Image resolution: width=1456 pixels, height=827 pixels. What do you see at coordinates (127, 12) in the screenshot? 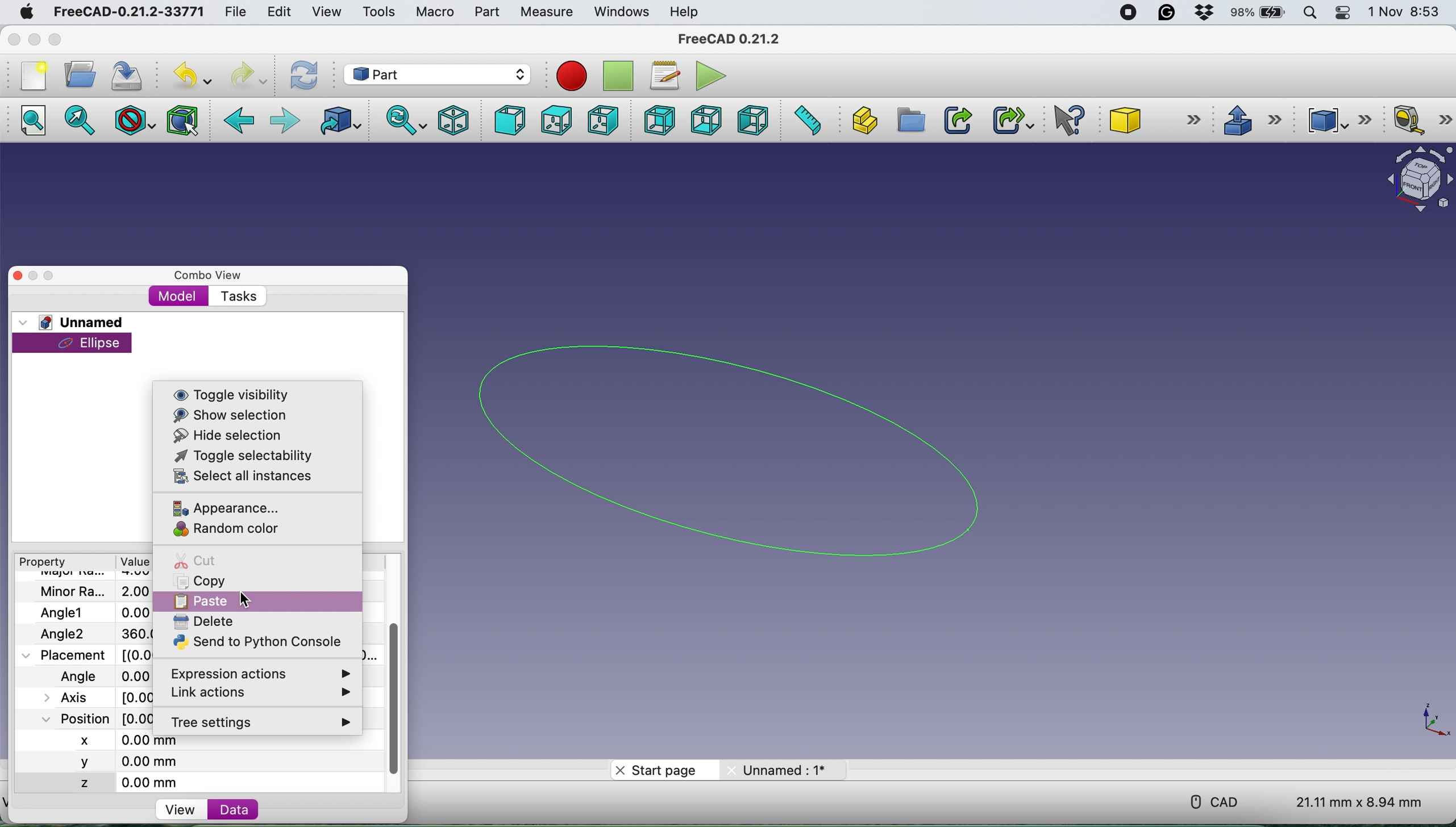
I see `freecad` at bounding box center [127, 12].